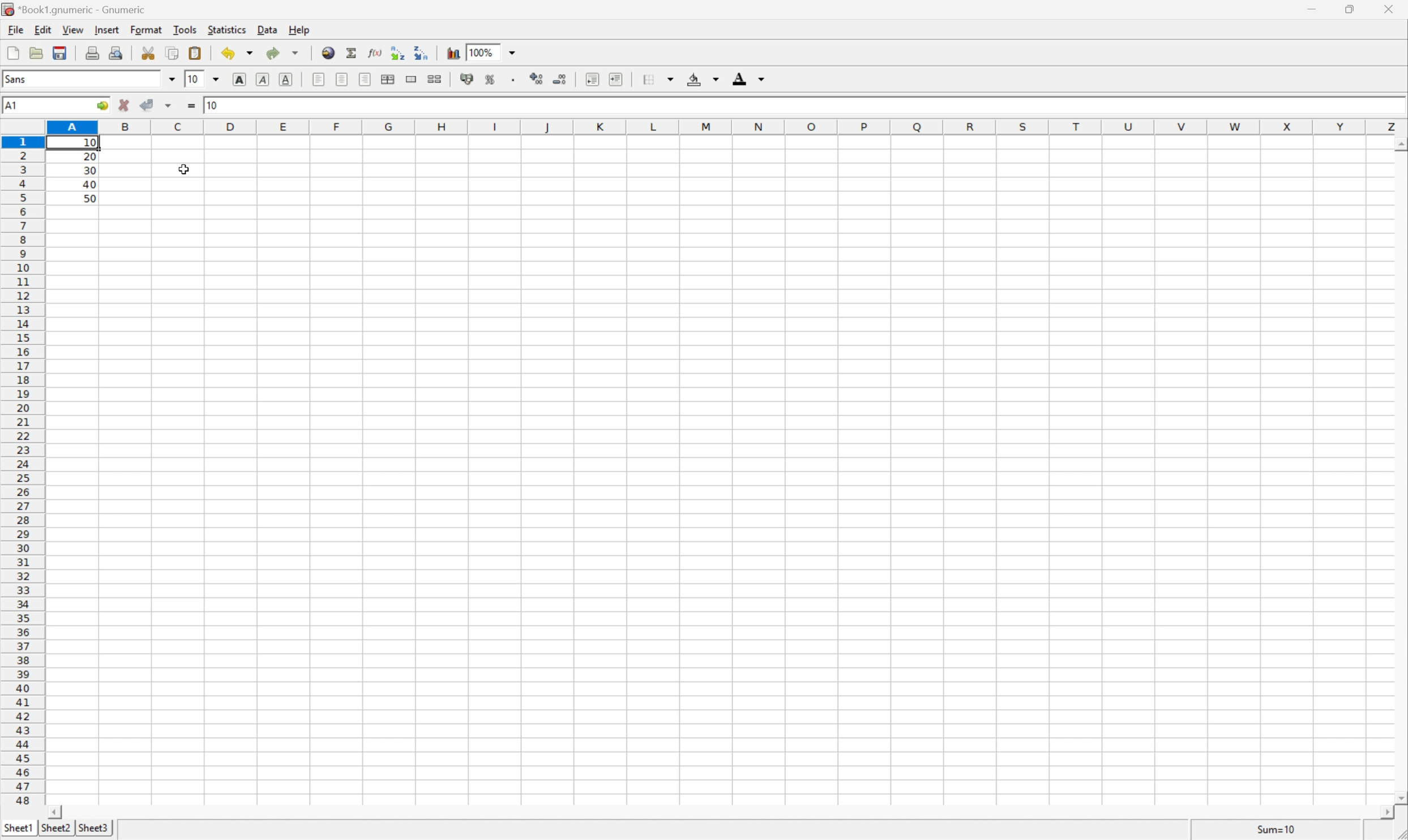 Image resolution: width=1408 pixels, height=840 pixels. Describe the element at coordinates (467, 77) in the screenshot. I see `Format the selection as accounting` at that location.